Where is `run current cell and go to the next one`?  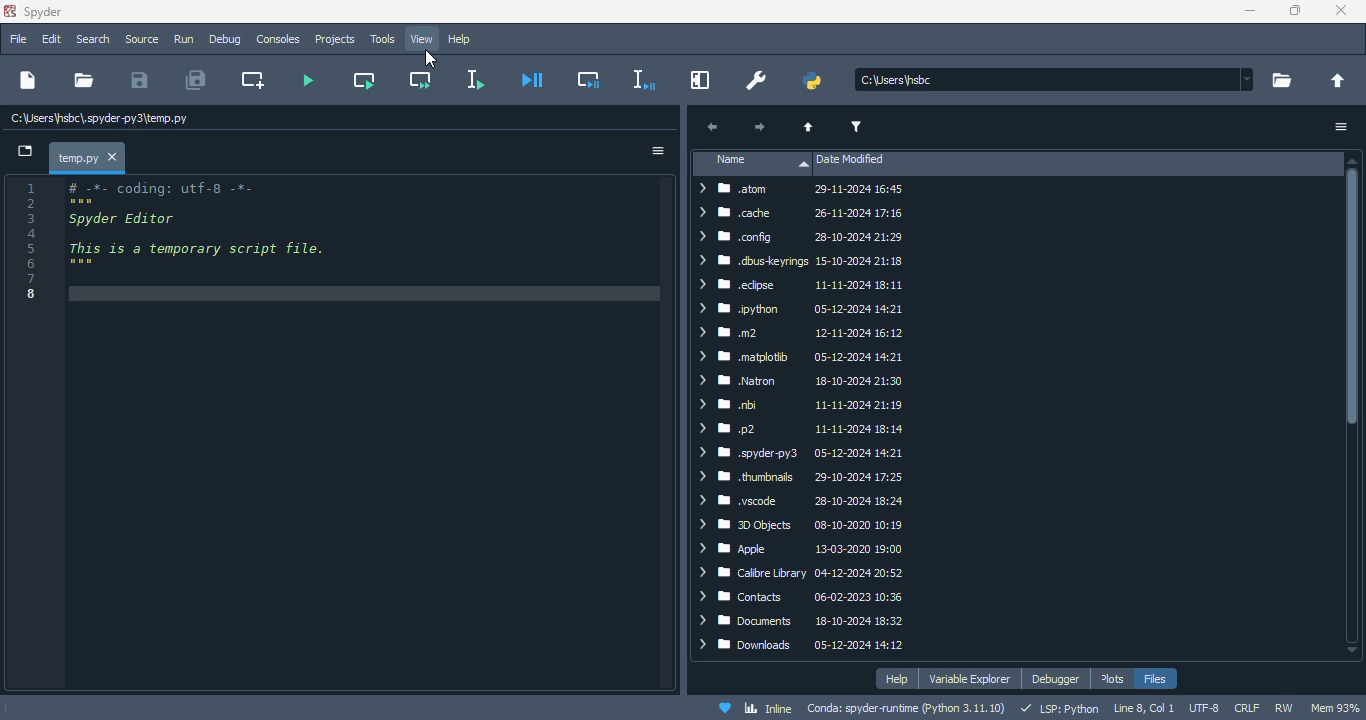 run current cell and go to the next one is located at coordinates (418, 79).